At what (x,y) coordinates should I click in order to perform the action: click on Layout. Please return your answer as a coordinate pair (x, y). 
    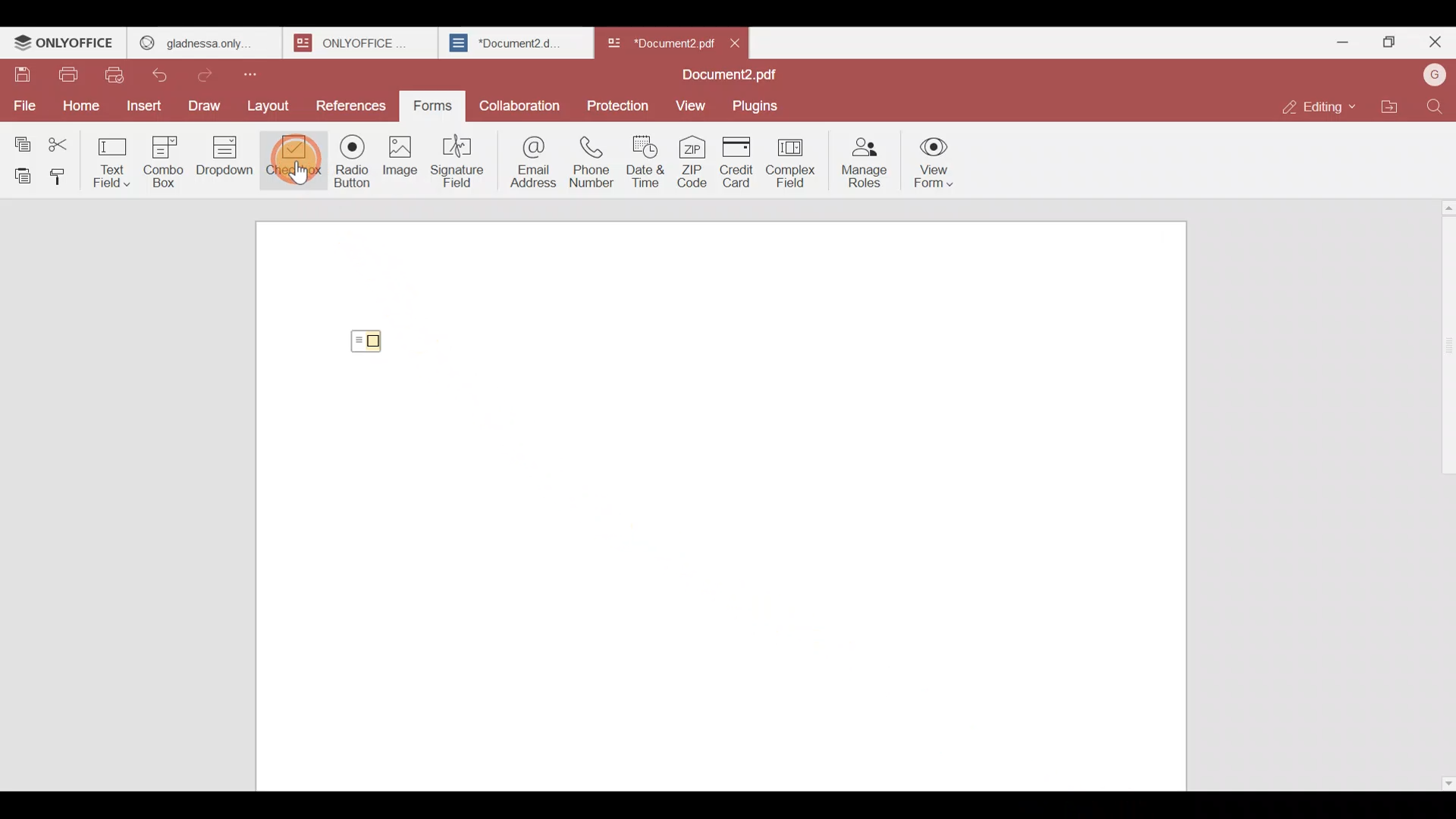
    Looking at the image, I should click on (275, 104).